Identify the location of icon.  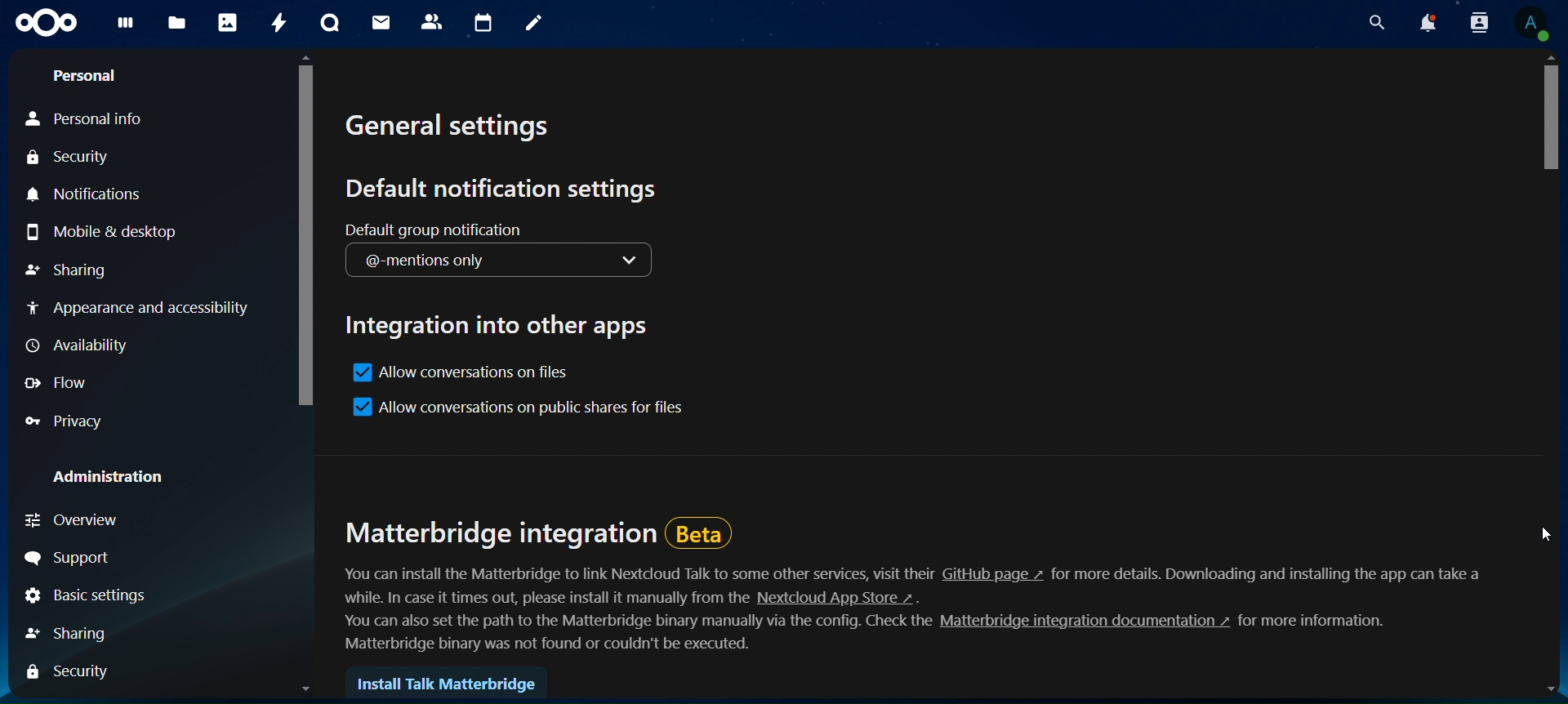
(45, 23).